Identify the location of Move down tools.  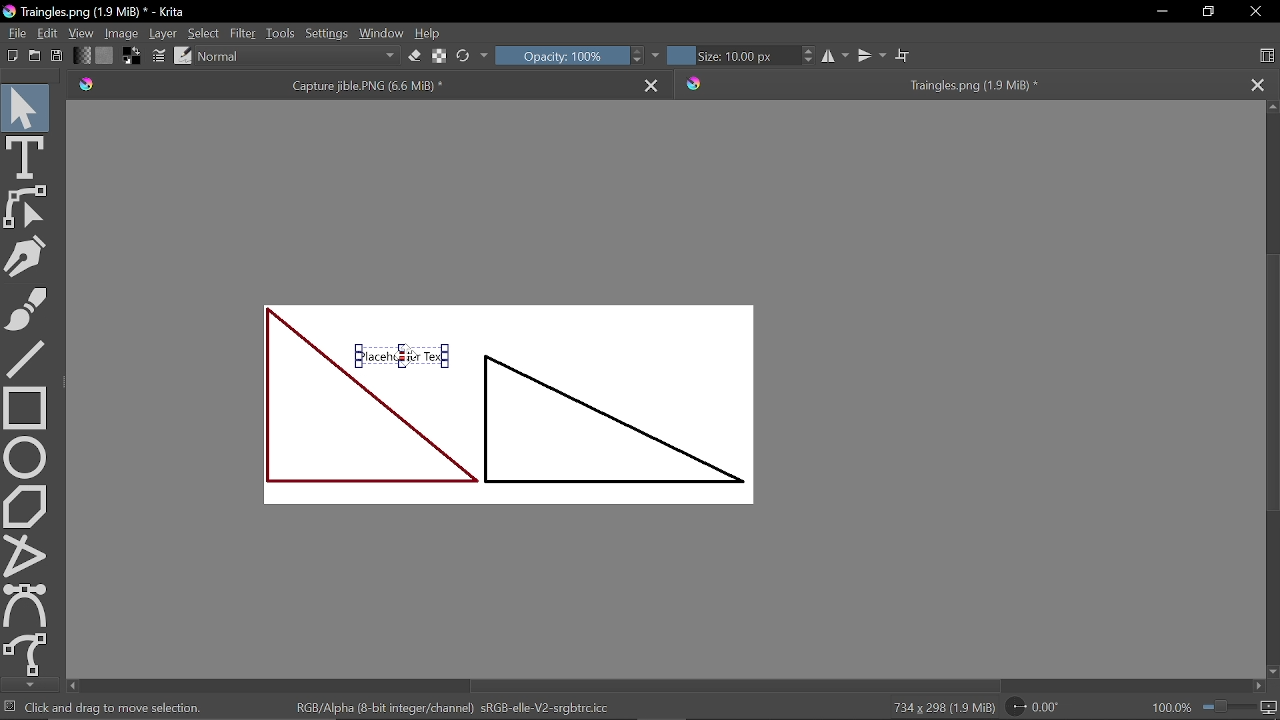
(27, 684).